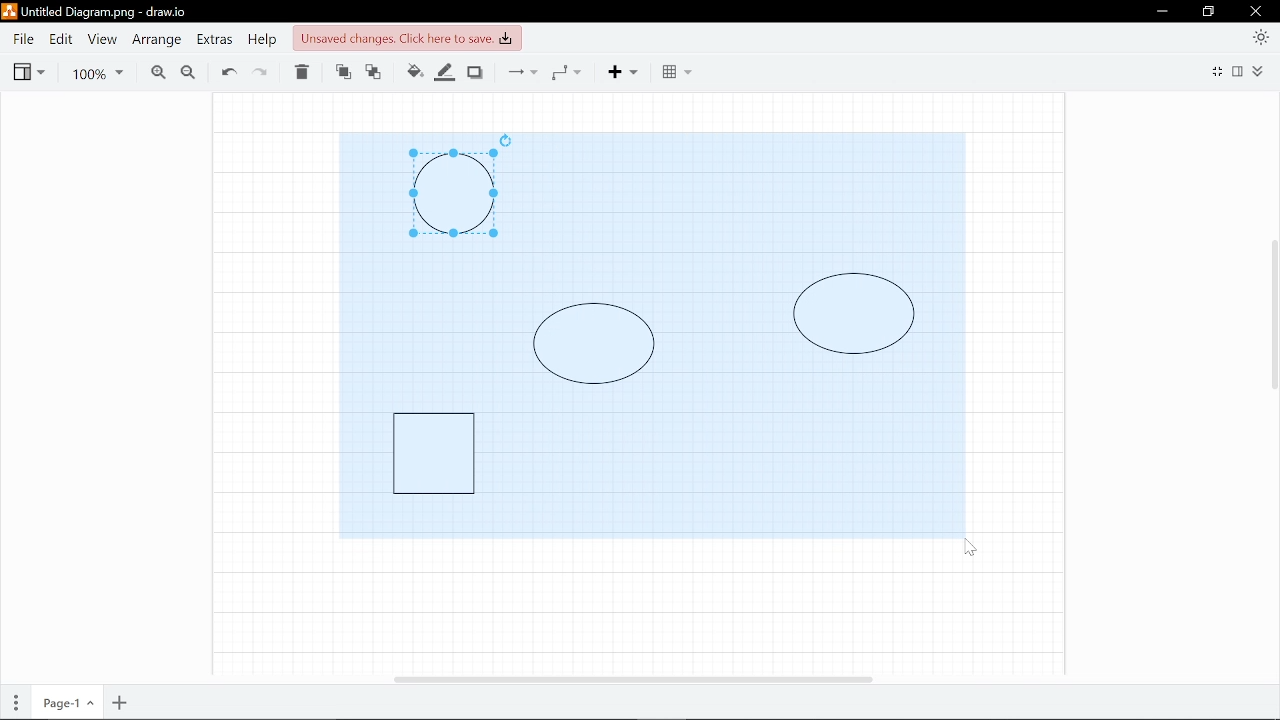  What do you see at coordinates (100, 71) in the screenshot?
I see `Current zoom` at bounding box center [100, 71].